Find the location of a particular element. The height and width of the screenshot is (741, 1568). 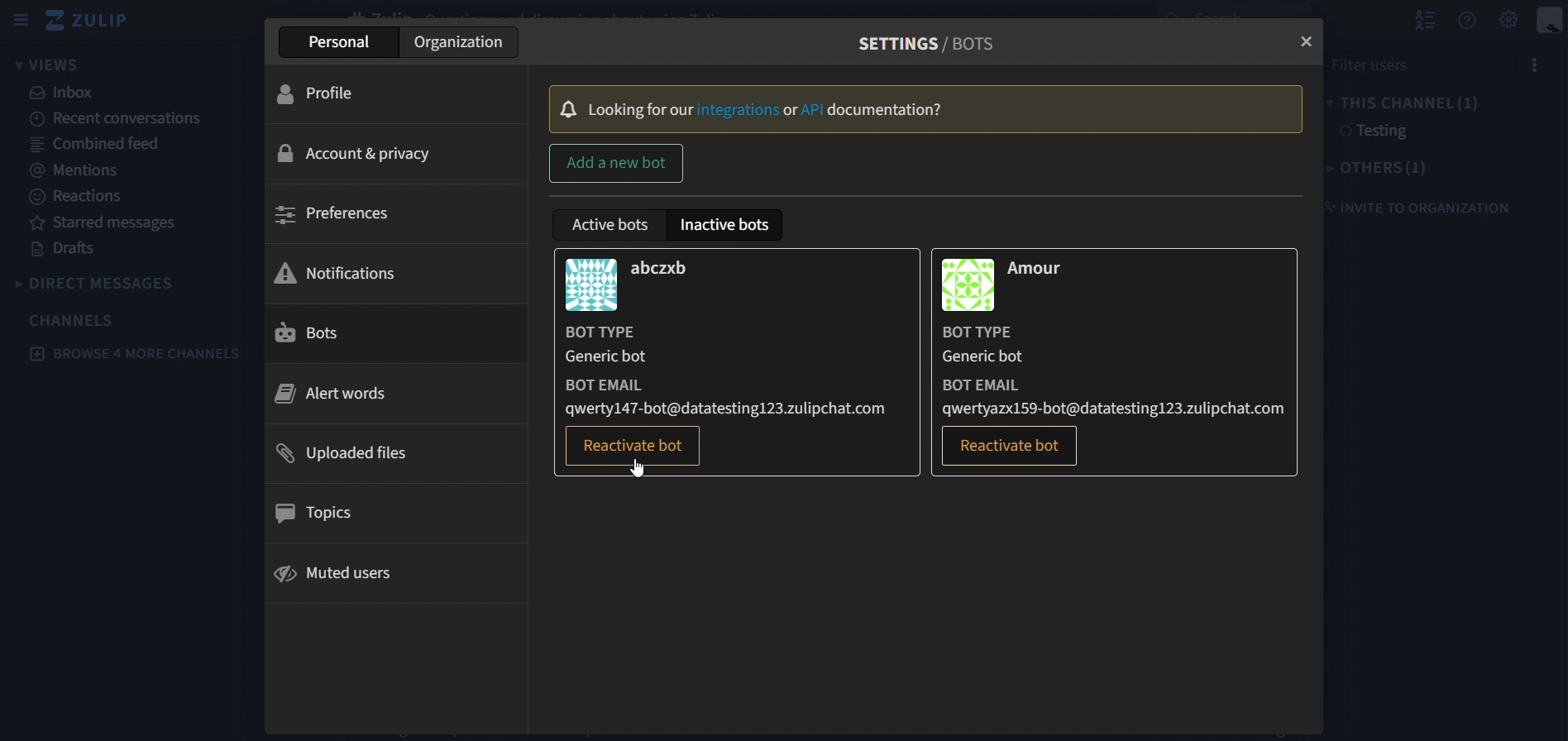

zulip is located at coordinates (95, 22).